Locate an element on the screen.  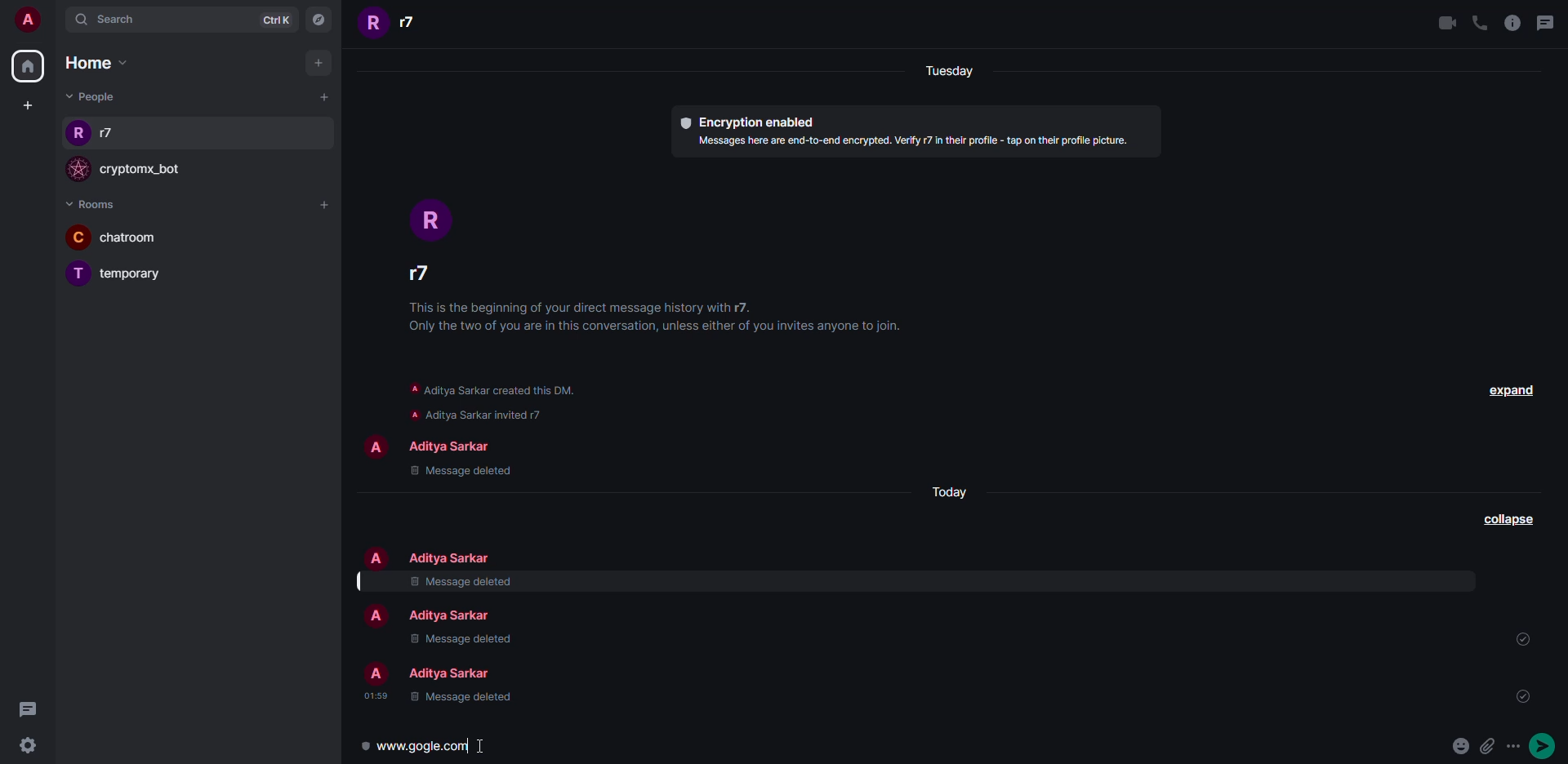
expand is located at coordinates (1511, 388).